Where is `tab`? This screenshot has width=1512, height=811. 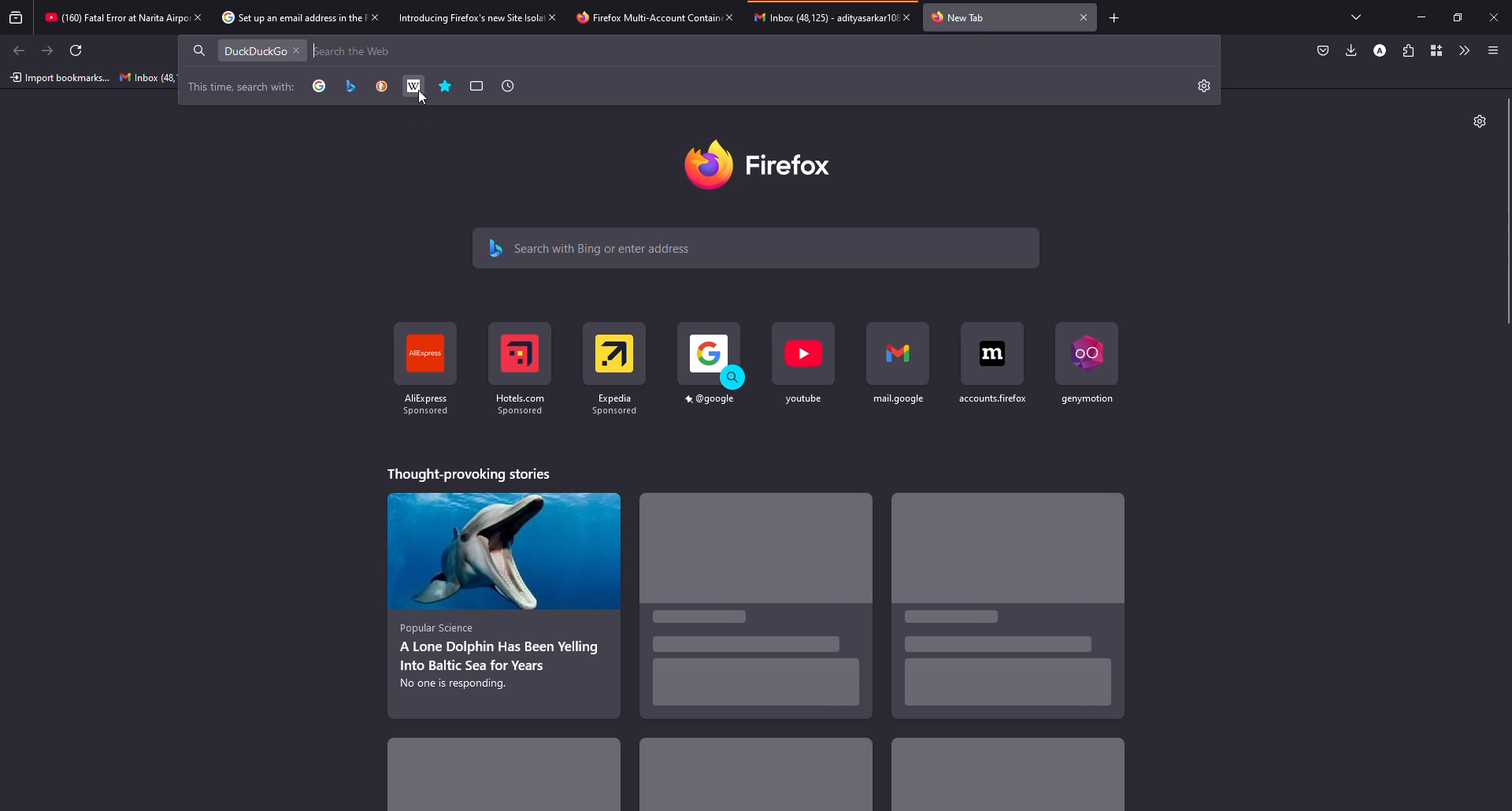 tab is located at coordinates (634, 19).